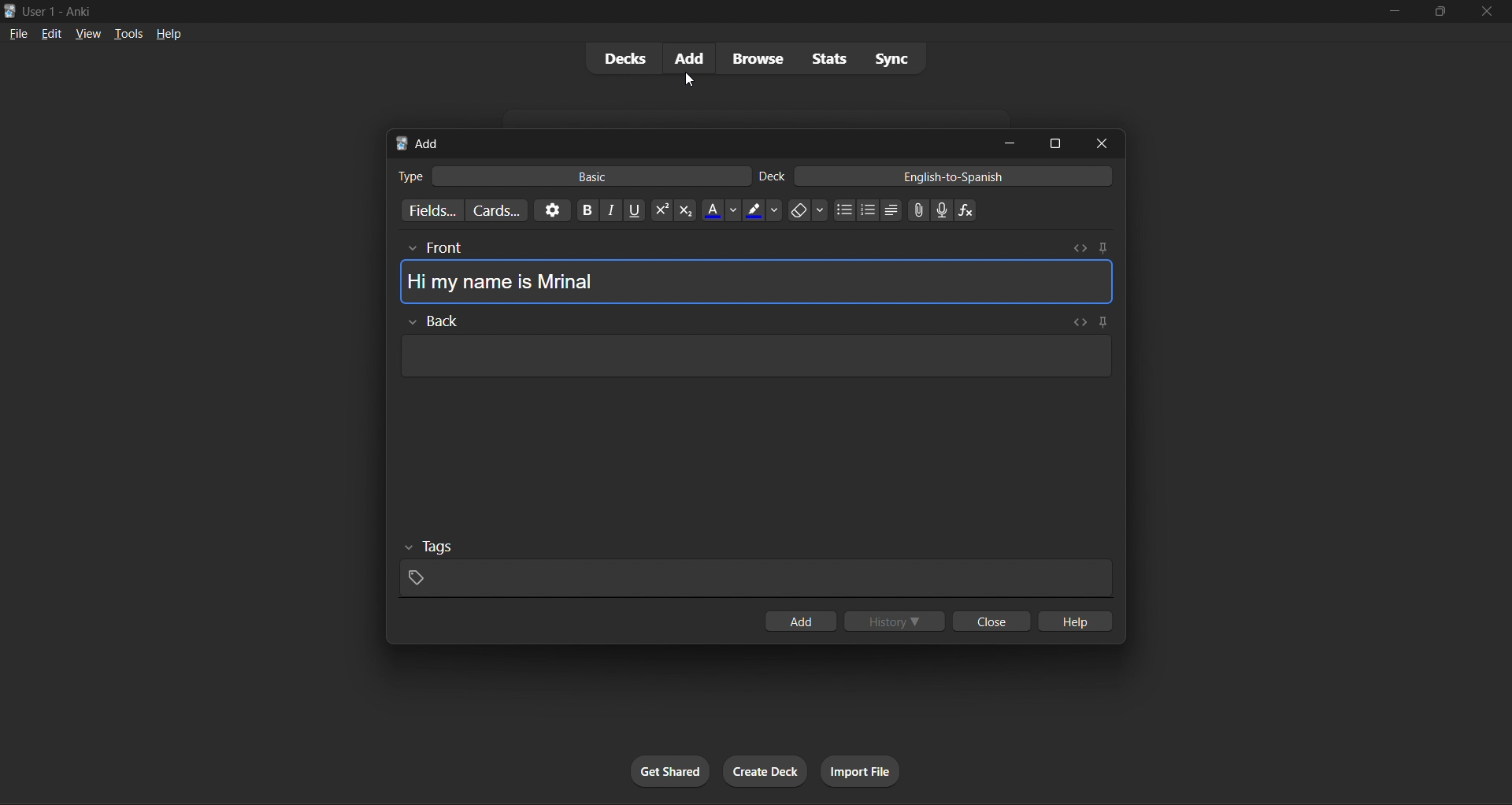  What do you see at coordinates (863, 770) in the screenshot?
I see `import file` at bounding box center [863, 770].